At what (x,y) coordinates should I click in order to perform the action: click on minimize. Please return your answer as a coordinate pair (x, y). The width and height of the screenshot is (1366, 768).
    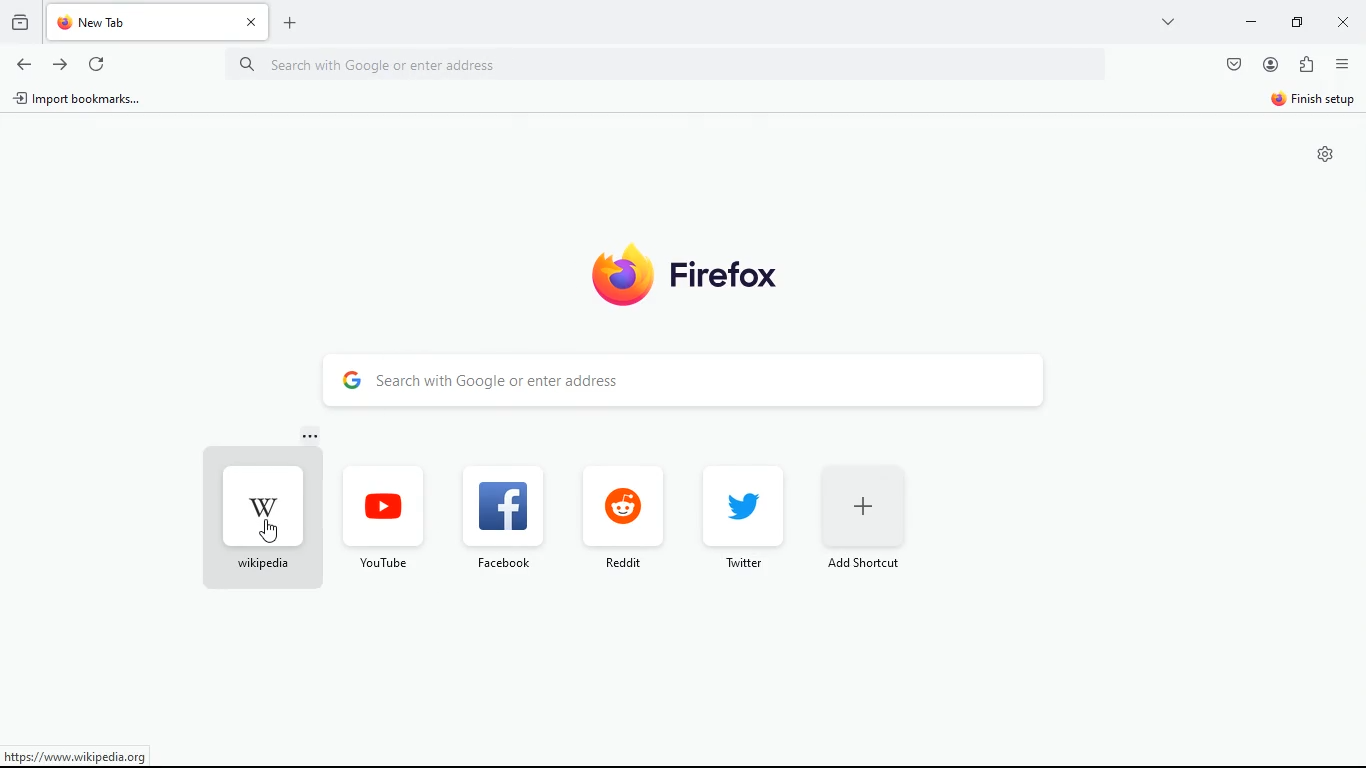
    Looking at the image, I should click on (1247, 22).